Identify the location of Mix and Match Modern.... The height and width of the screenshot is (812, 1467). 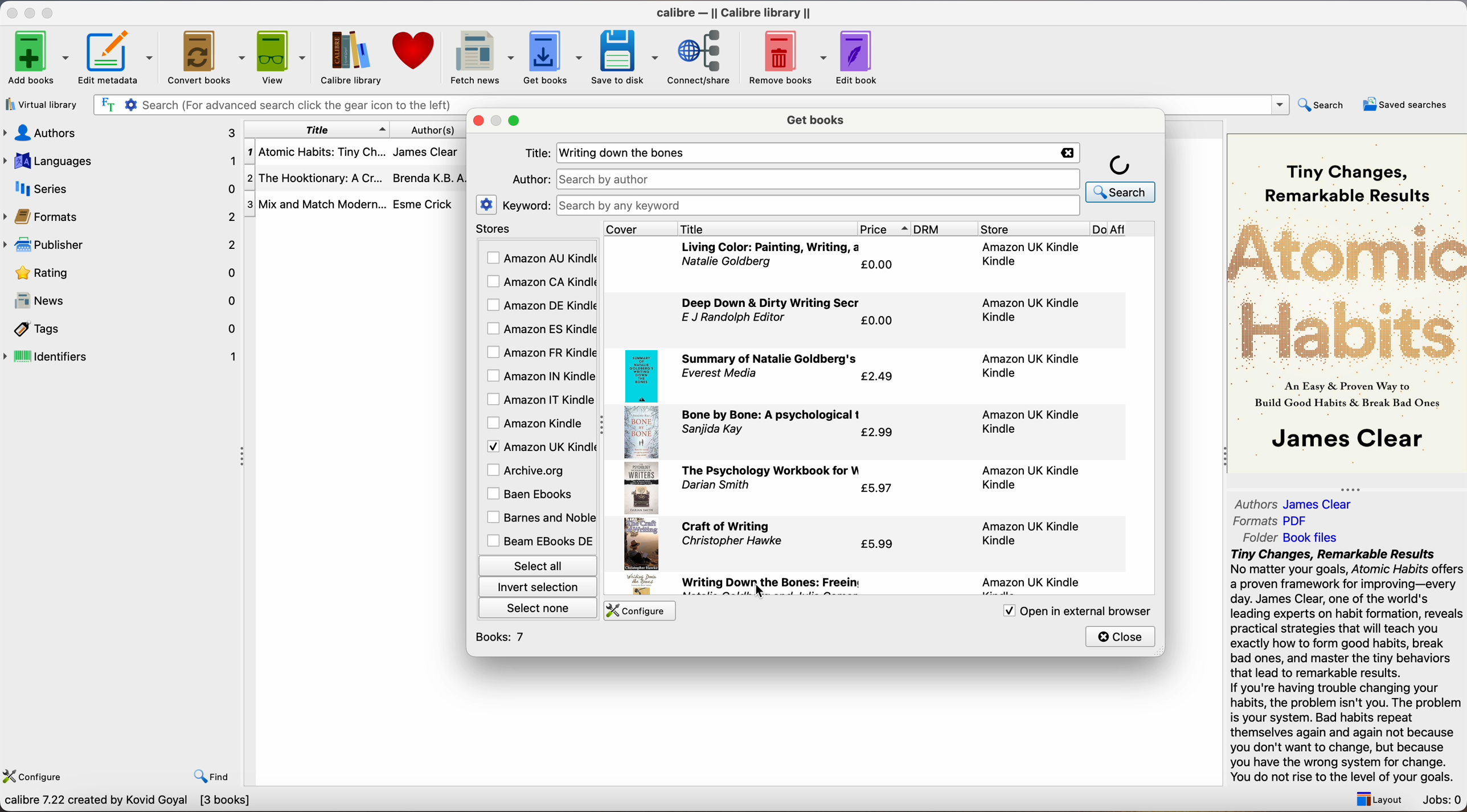
(315, 205).